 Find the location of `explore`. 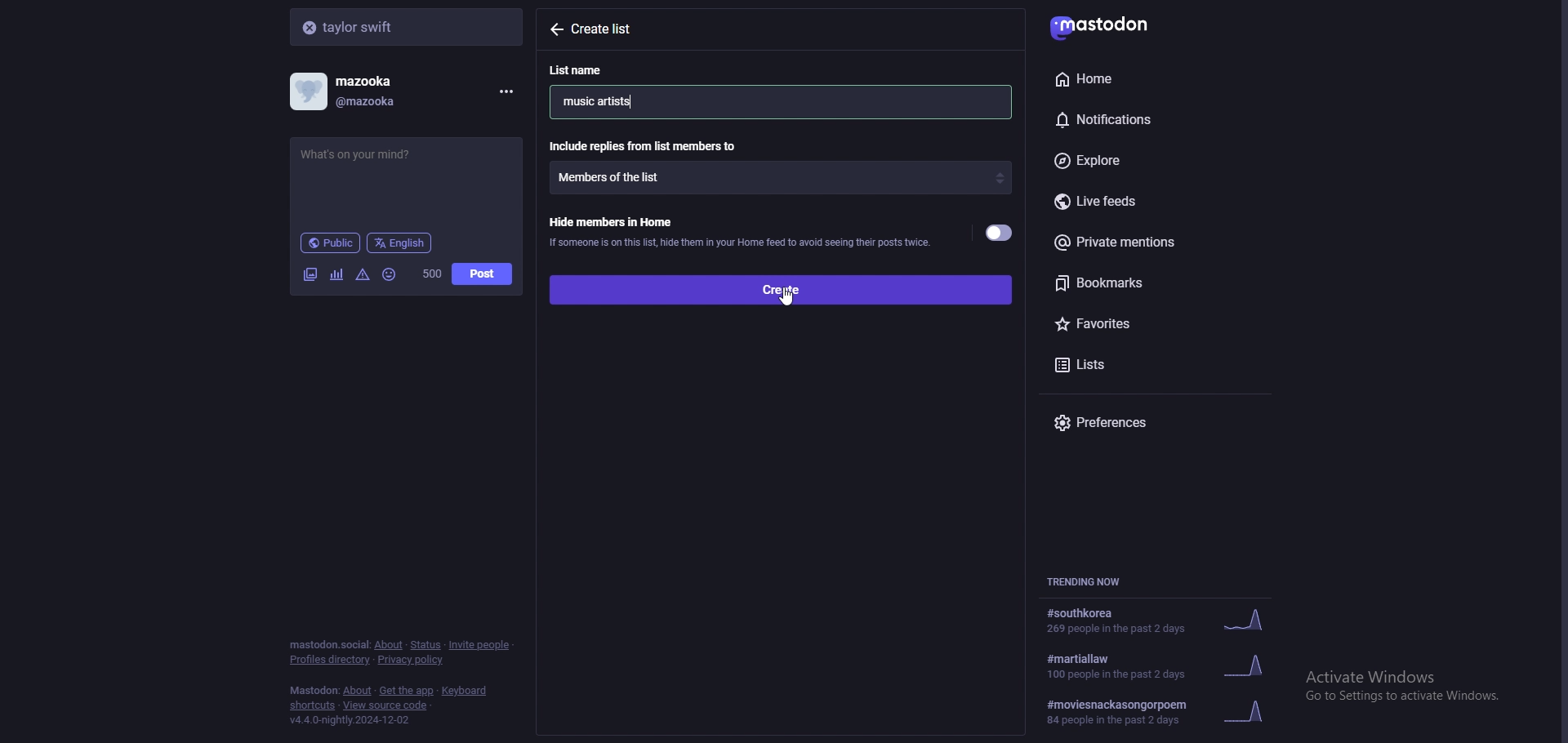

explore is located at coordinates (1150, 162).